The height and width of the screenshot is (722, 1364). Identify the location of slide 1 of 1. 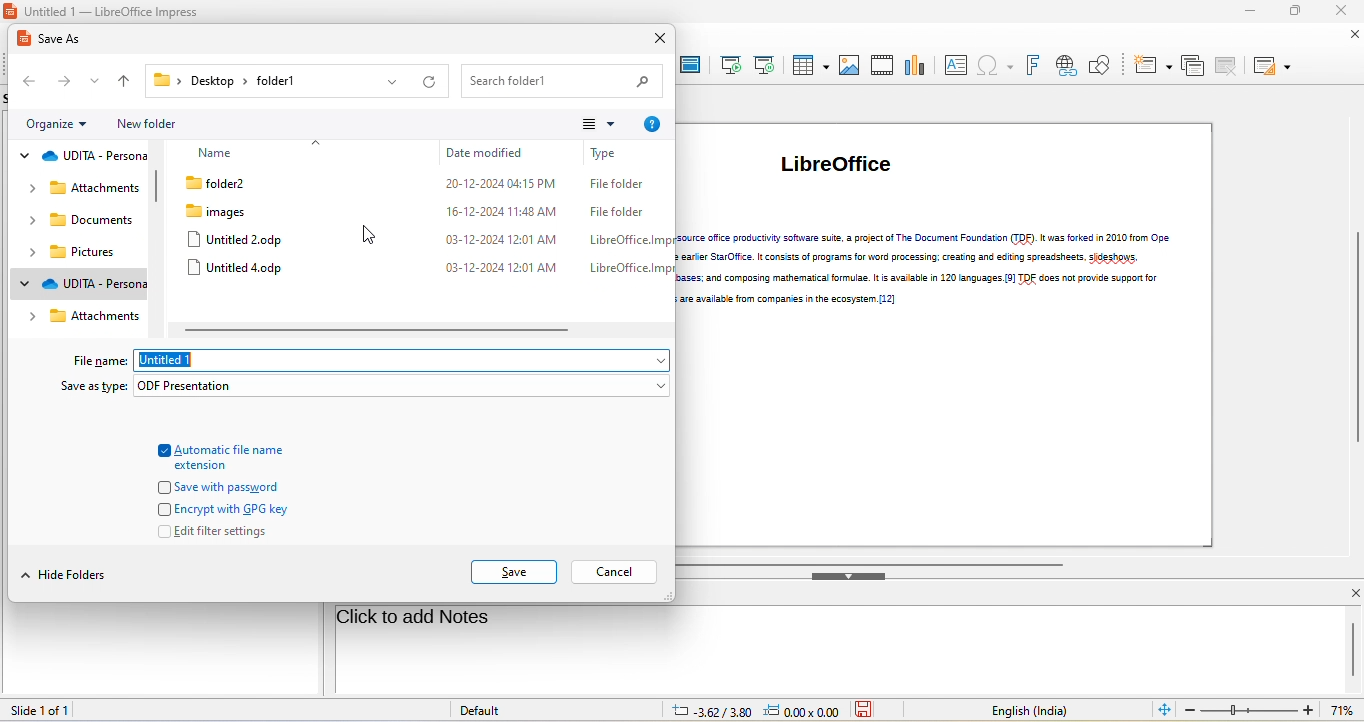
(54, 709).